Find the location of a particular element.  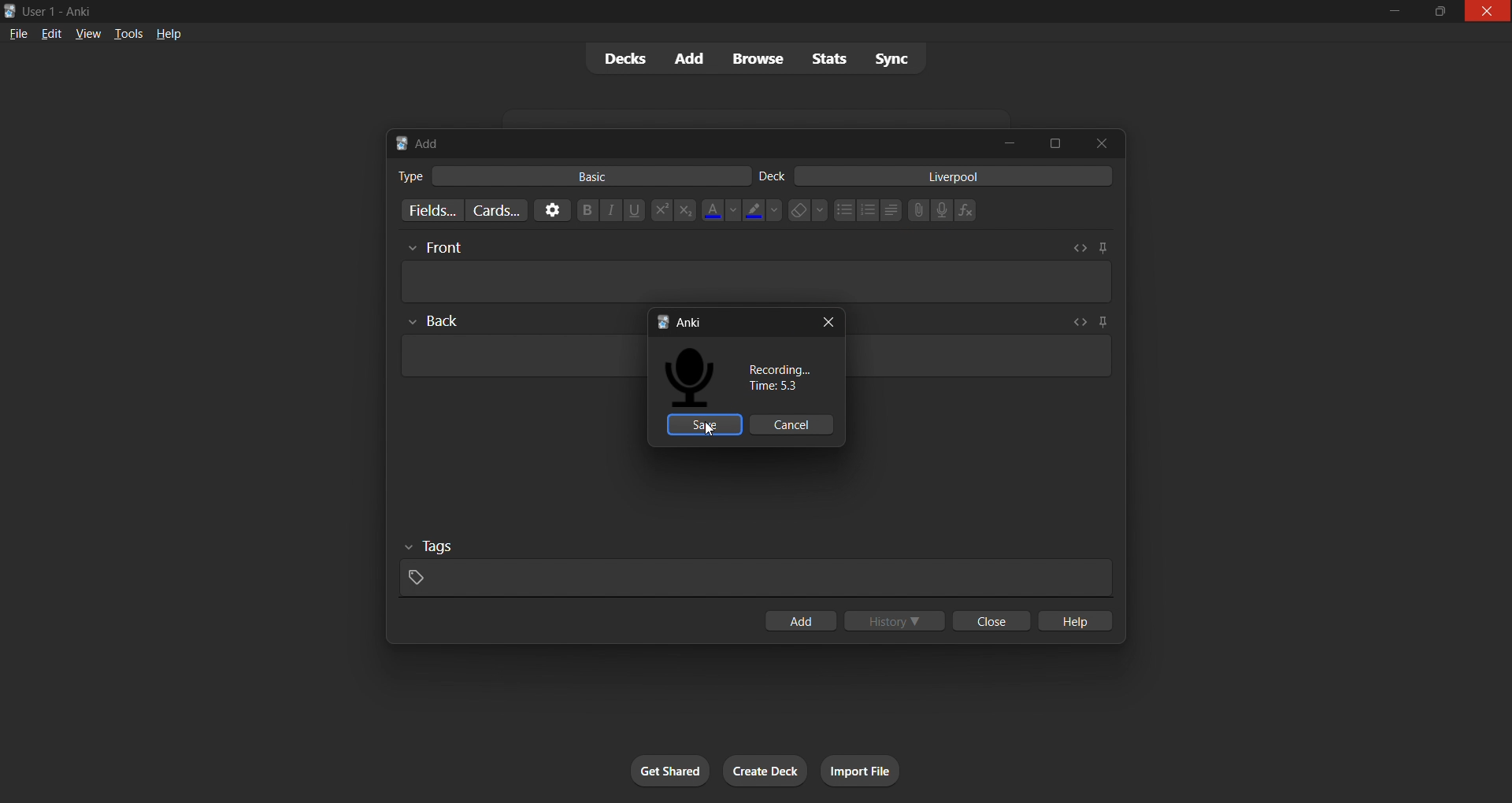

font highlight is located at coordinates (762, 211).